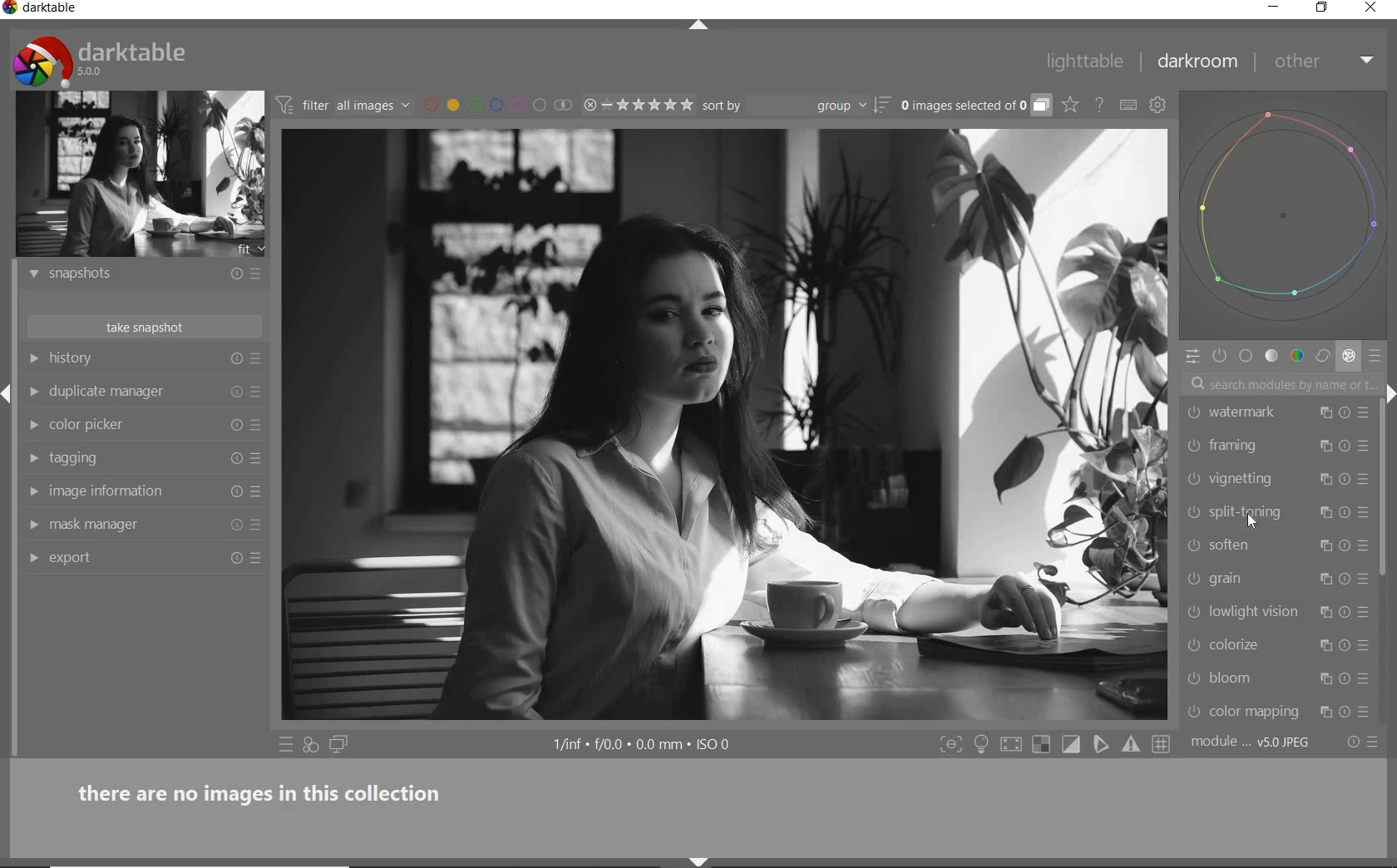  What do you see at coordinates (1326, 61) in the screenshot?
I see `other` at bounding box center [1326, 61].